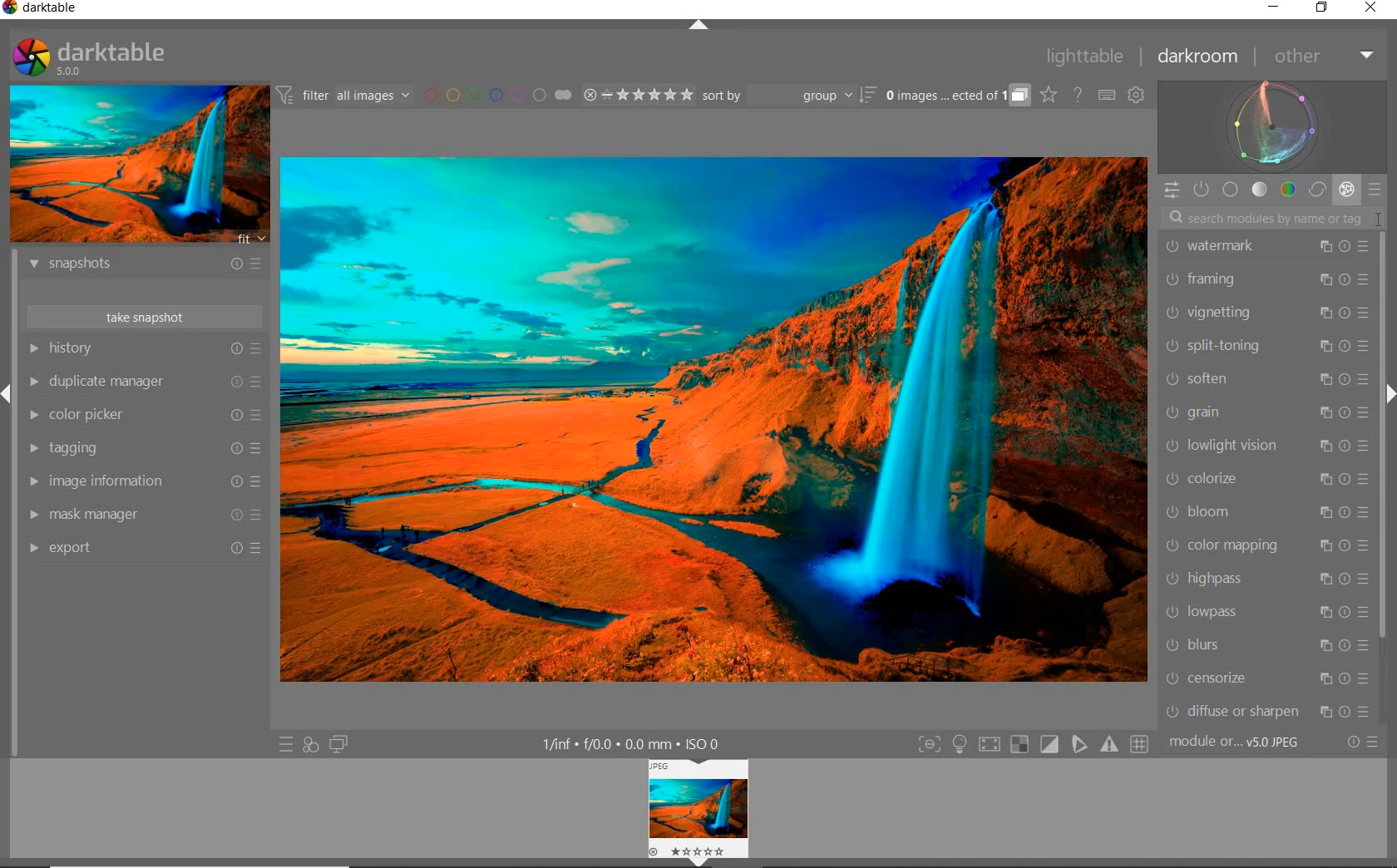 Image resolution: width=1397 pixels, height=868 pixels. I want to click on tagging, so click(144, 448).